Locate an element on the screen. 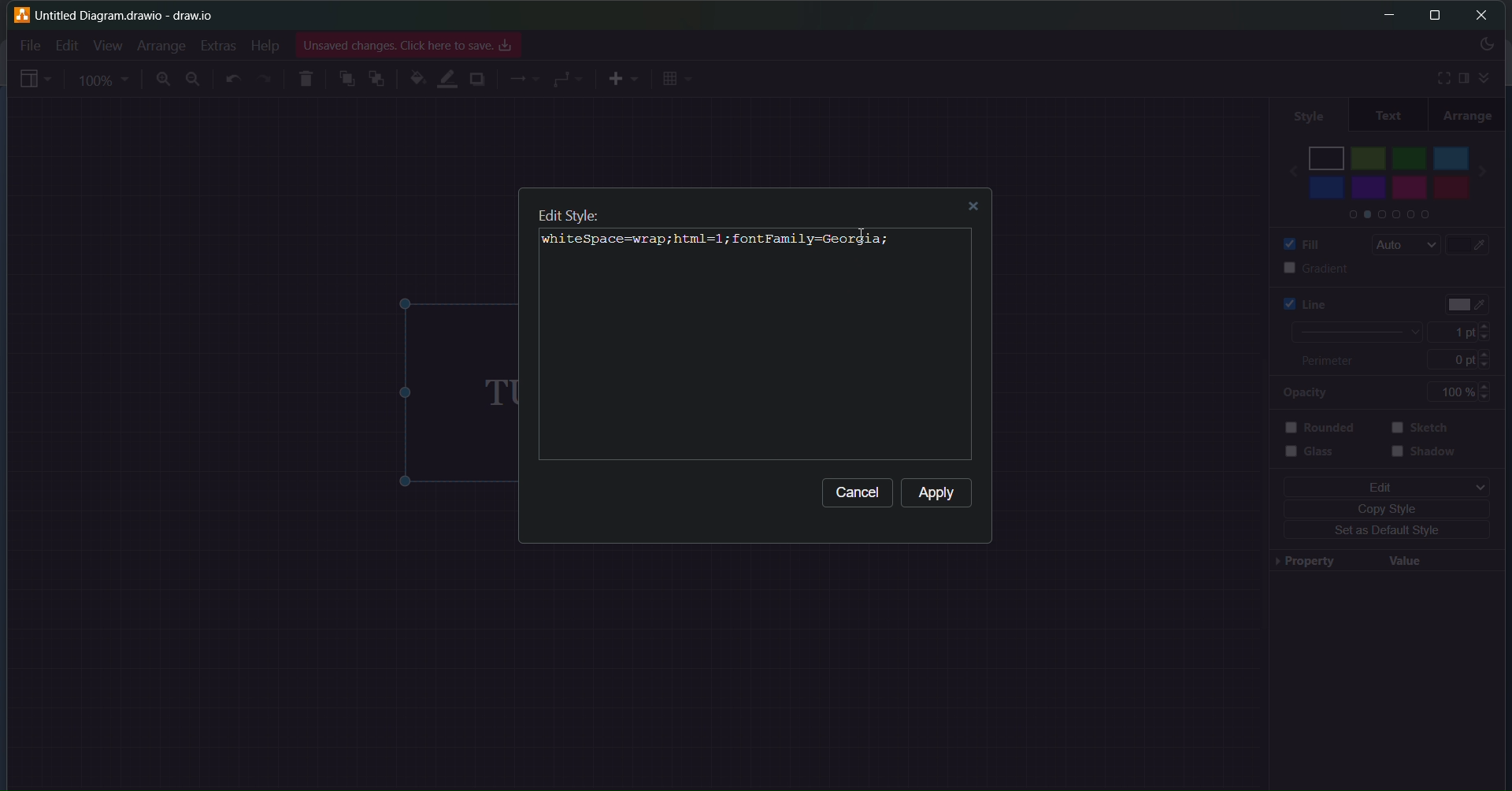 The width and height of the screenshot is (1512, 791). auto is located at coordinates (1401, 245).